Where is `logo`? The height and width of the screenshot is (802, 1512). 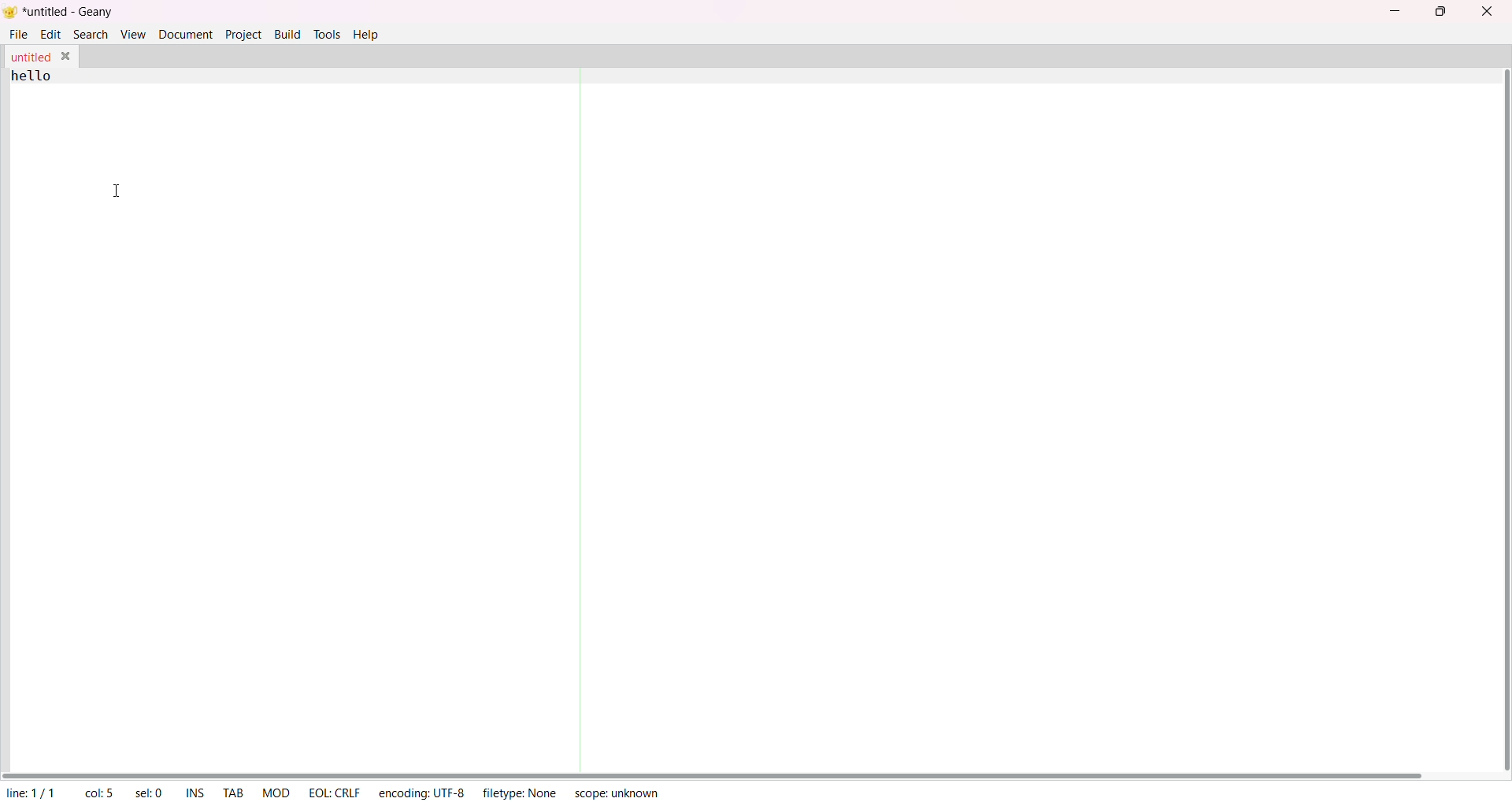 logo is located at coordinates (10, 12).